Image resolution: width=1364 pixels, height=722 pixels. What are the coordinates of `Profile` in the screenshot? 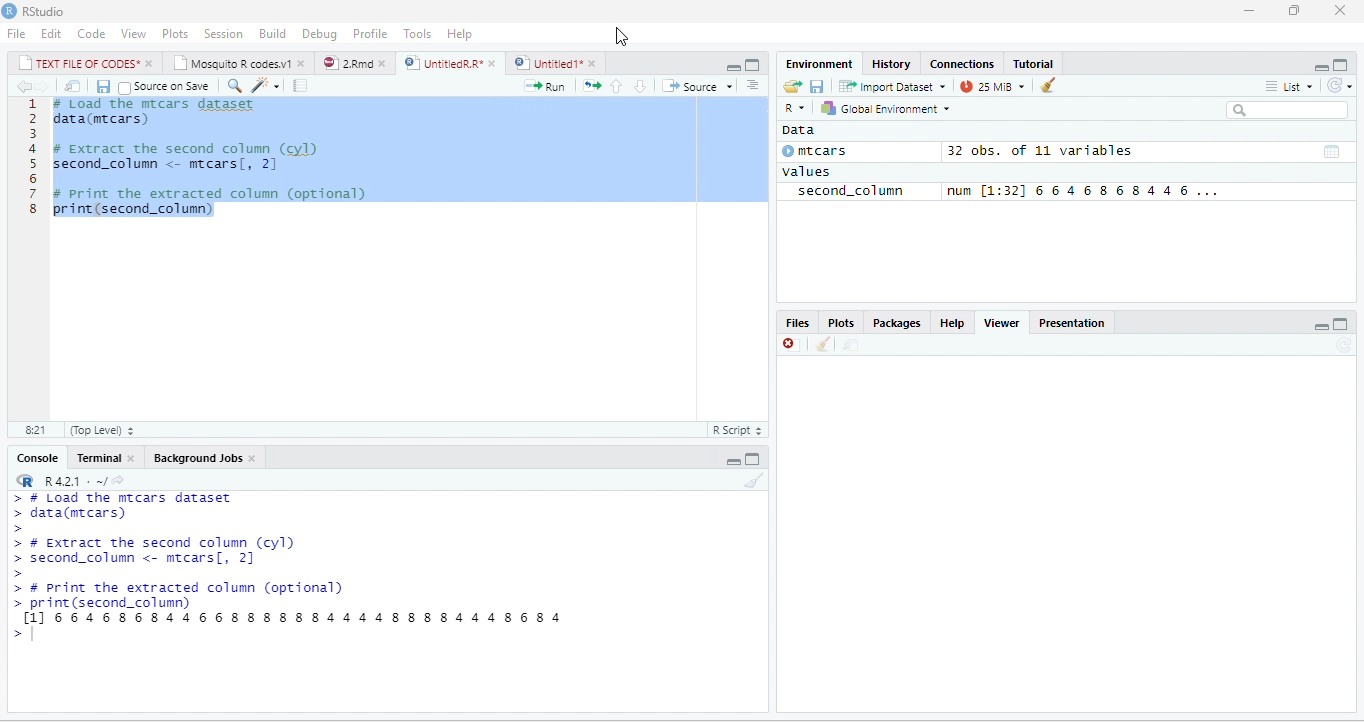 It's located at (371, 32).